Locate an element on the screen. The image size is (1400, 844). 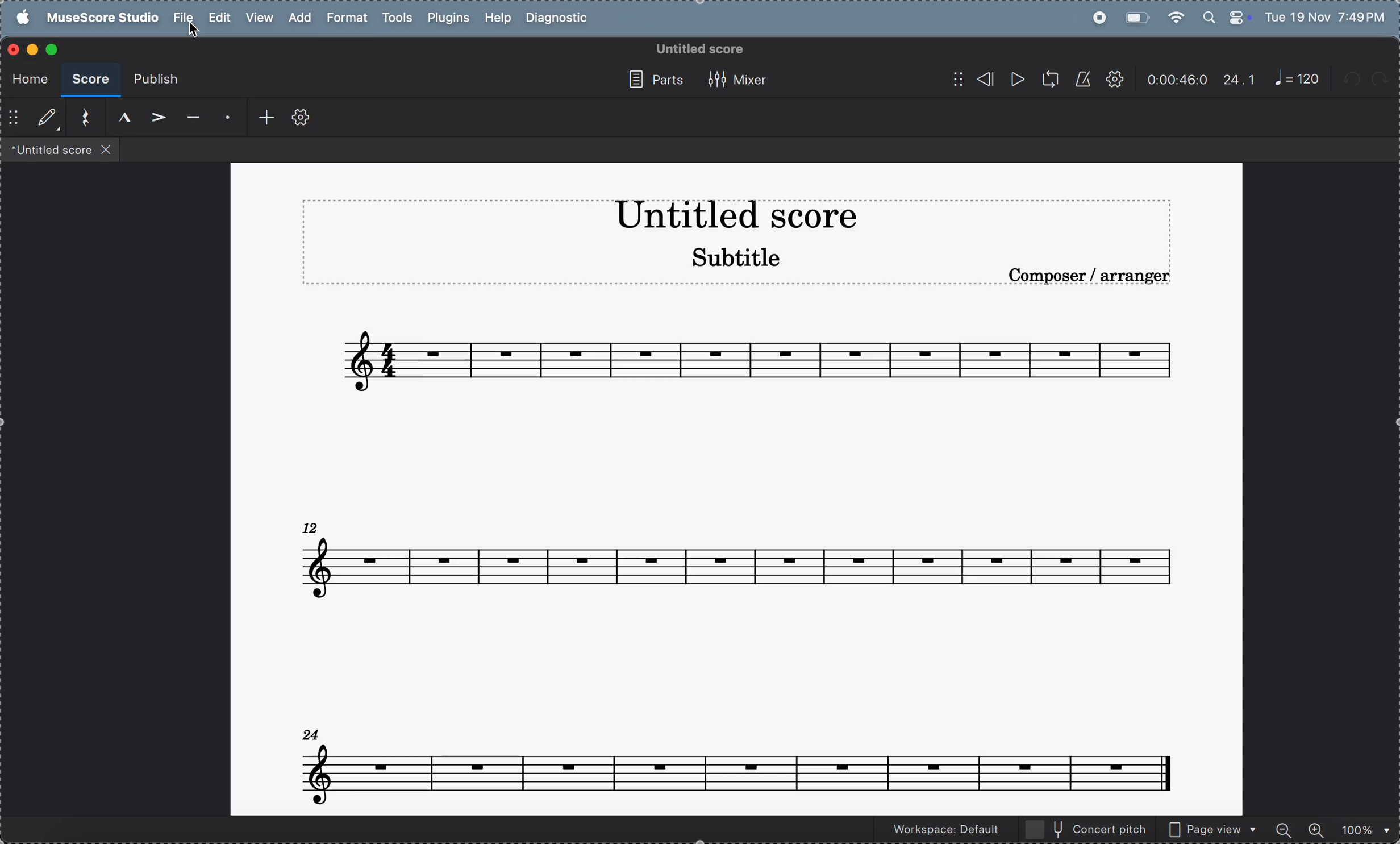
diagnostic is located at coordinates (560, 19).